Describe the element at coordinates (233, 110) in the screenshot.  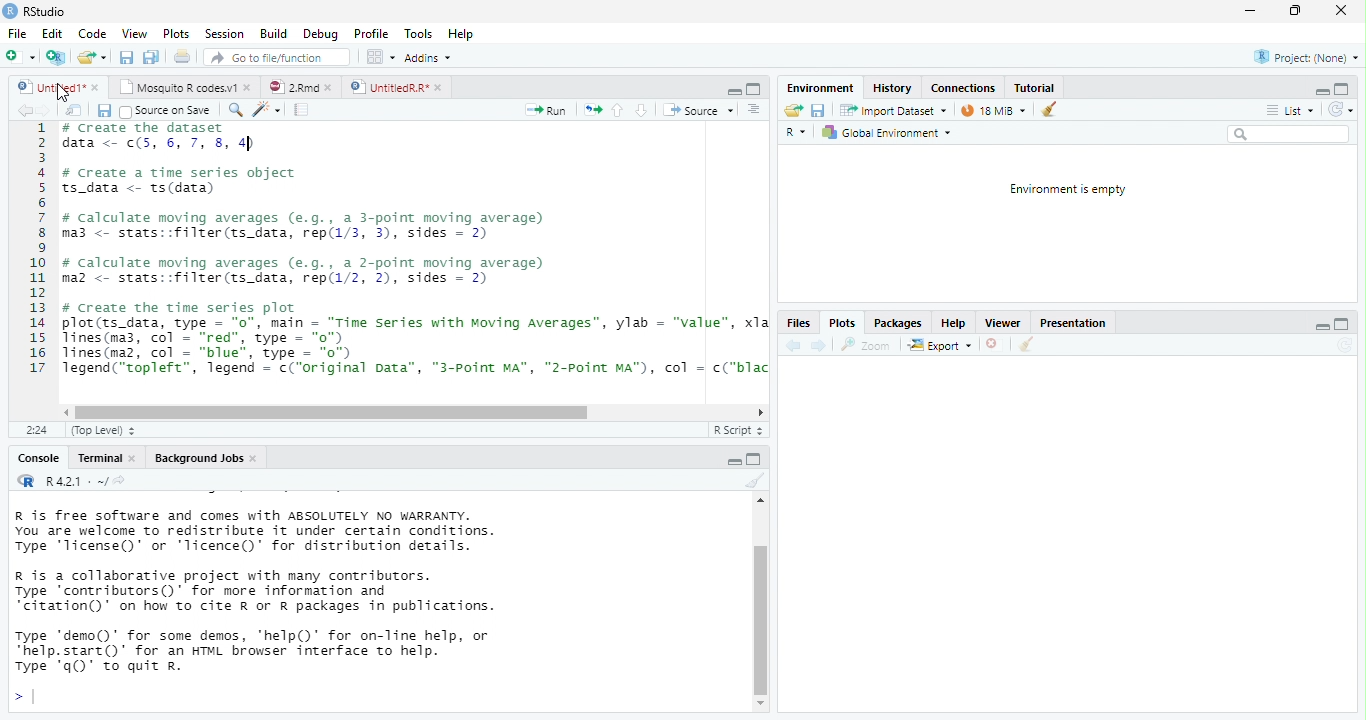
I see `search` at that location.